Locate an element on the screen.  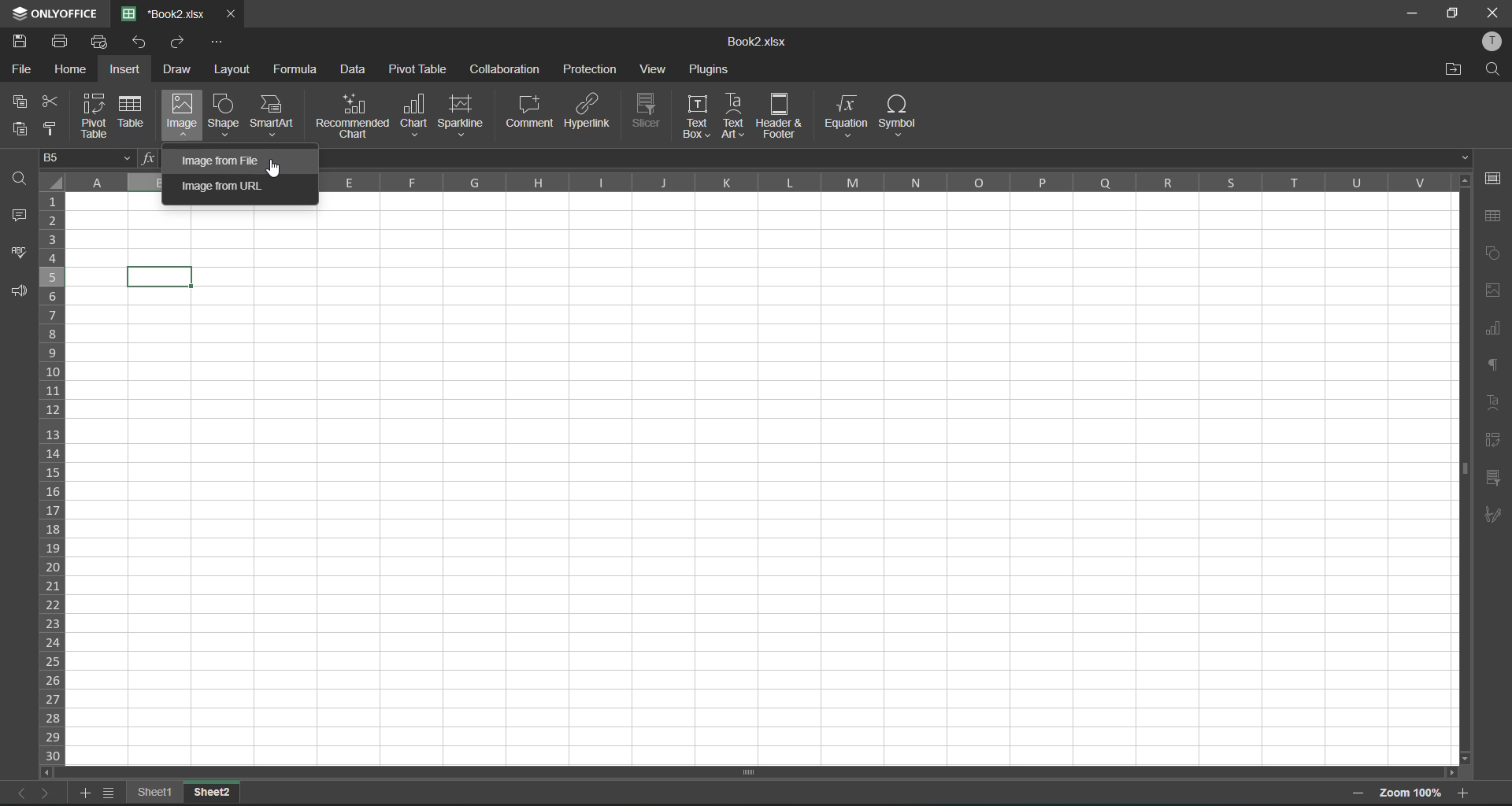
pivot table is located at coordinates (1496, 440).